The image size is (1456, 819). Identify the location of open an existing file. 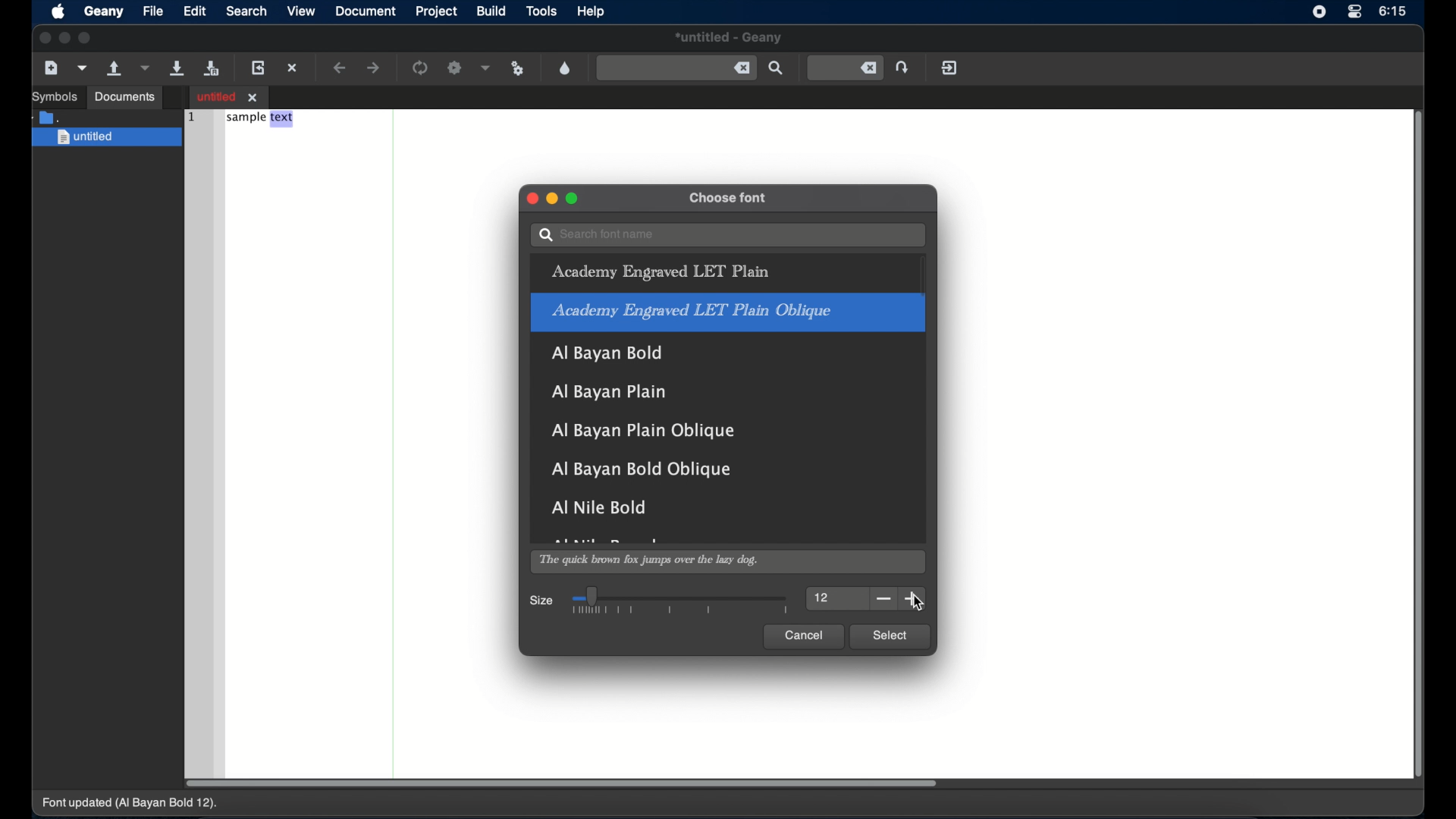
(115, 69).